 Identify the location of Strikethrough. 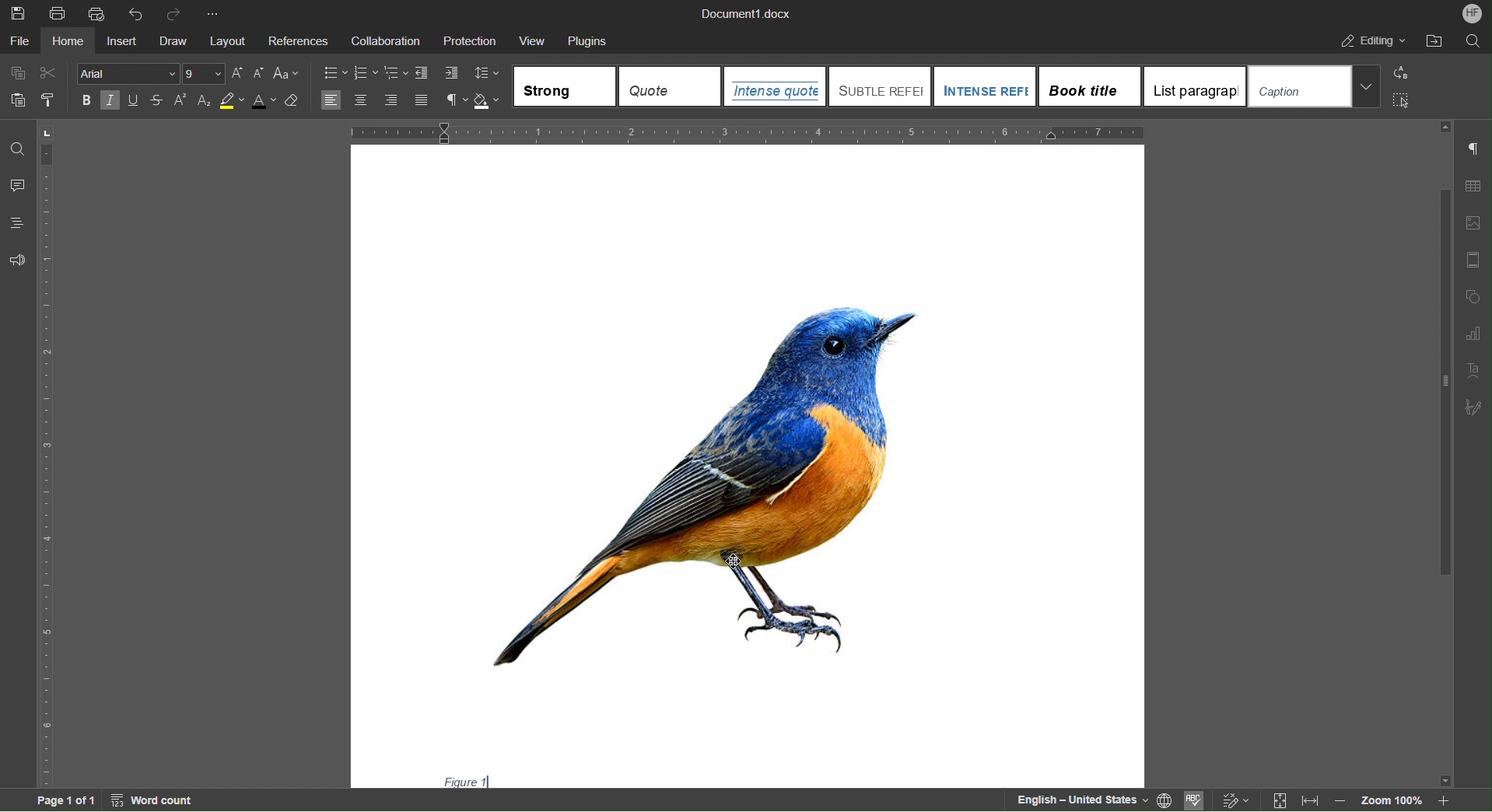
(155, 101).